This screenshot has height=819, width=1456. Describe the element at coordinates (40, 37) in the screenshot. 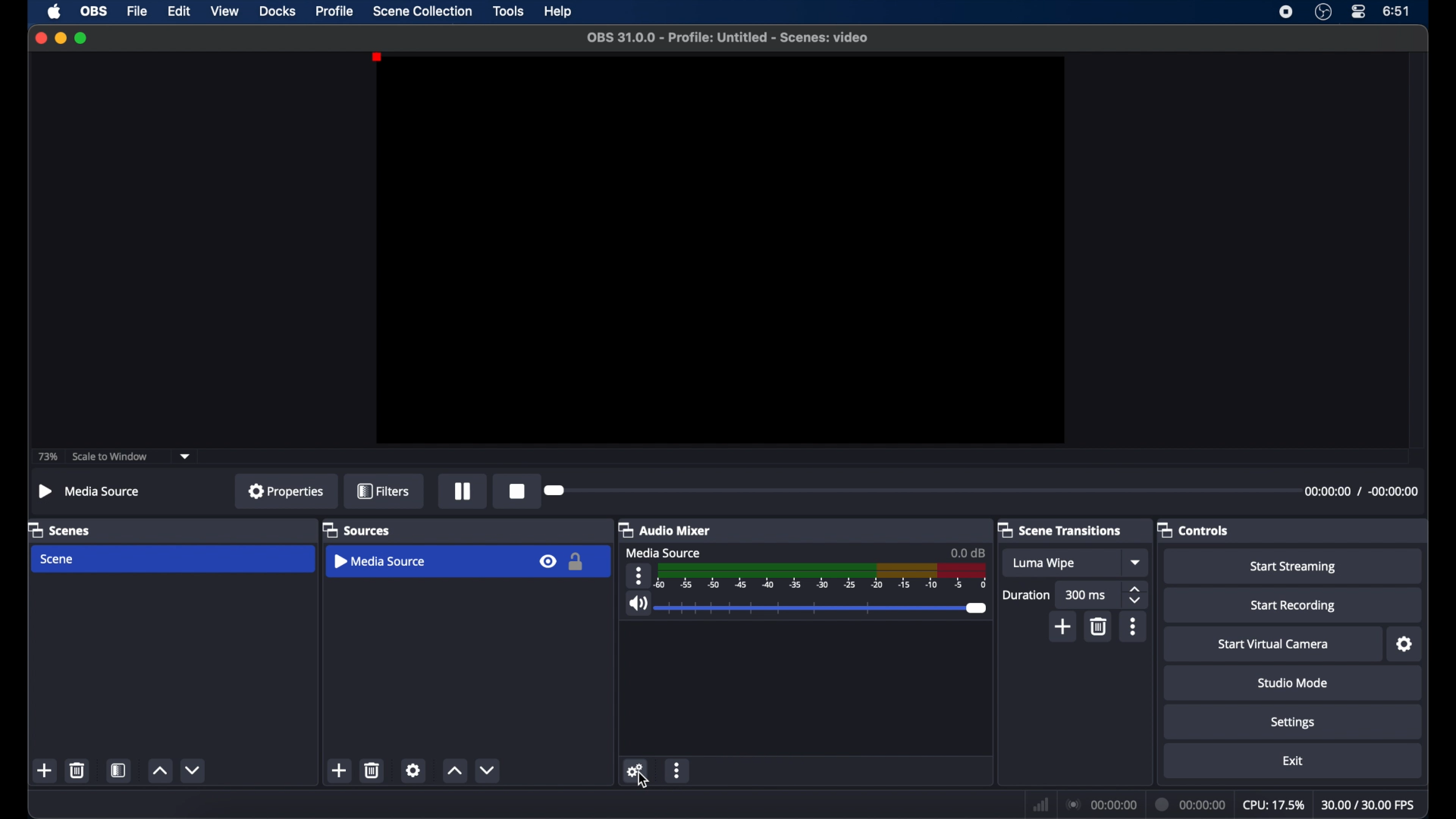

I see `close` at that location.